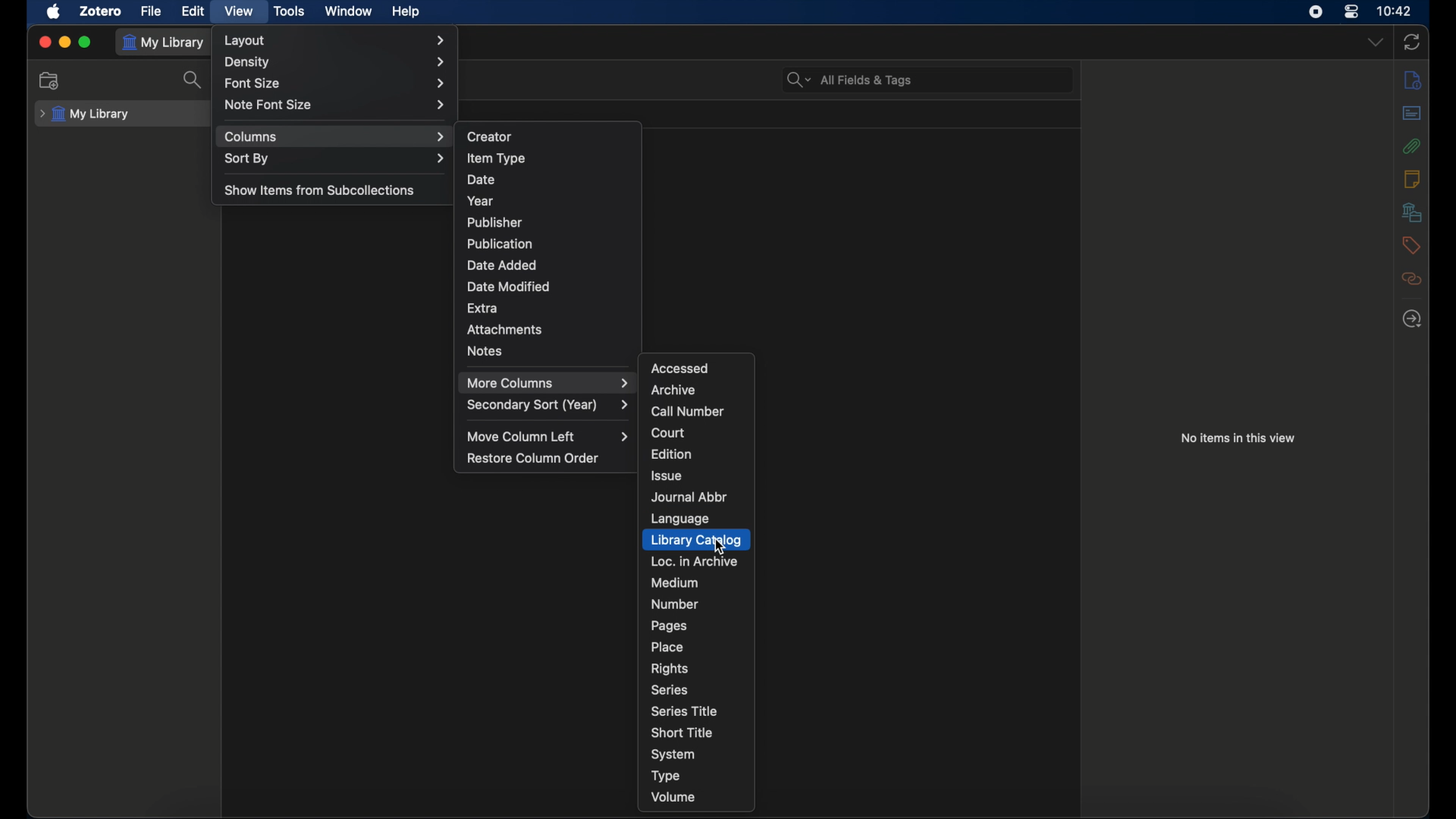  Describe the element at coordinates (675, 604) in the screenshot. I see `number` at that location.